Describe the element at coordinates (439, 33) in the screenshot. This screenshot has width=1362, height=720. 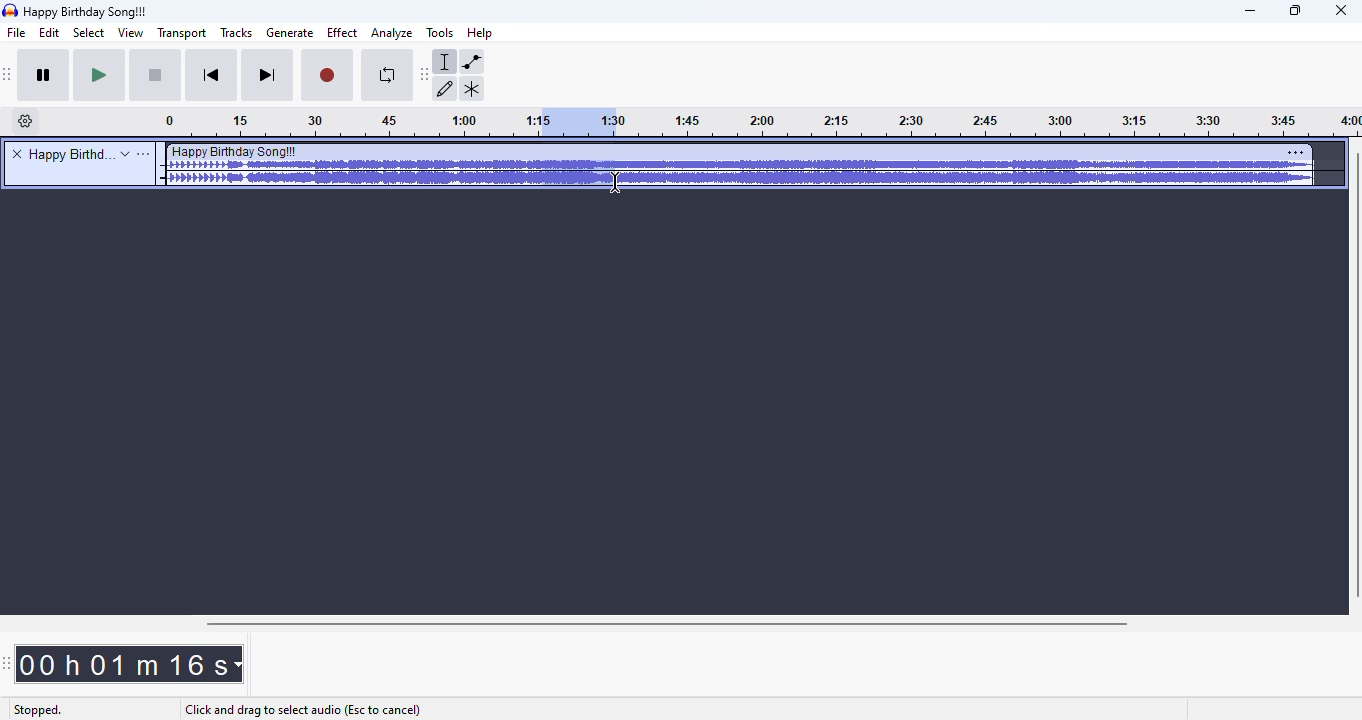
I see `tools` at that location.